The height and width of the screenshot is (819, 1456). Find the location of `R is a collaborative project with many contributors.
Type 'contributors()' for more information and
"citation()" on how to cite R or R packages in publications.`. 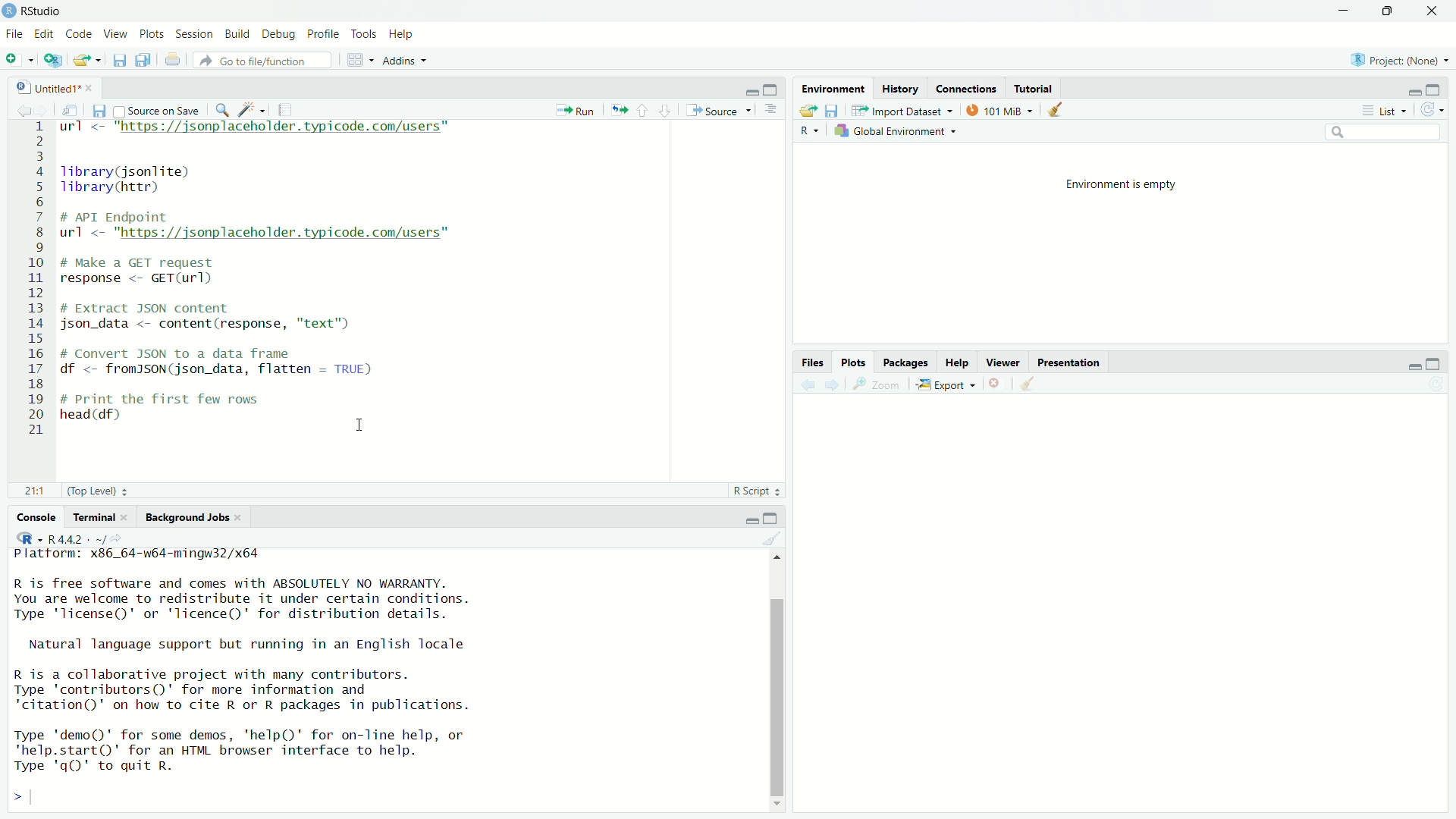

R is a collaborative project with many contributors.
Type 'contributors()' for more information and
"citation()" on how to cite R or R packages in publications. is located at coordinates (241, 692).